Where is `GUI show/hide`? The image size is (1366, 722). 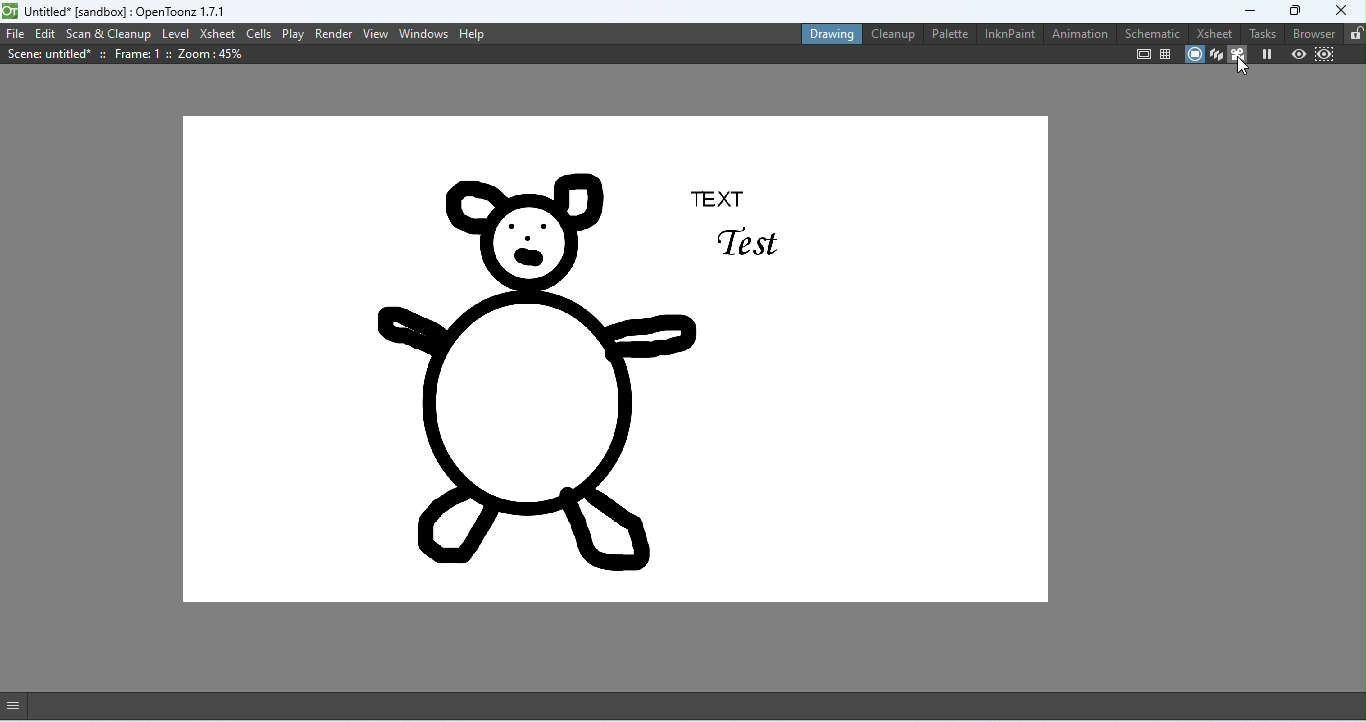
GUI show/hide is located at coordinates (20, 705).